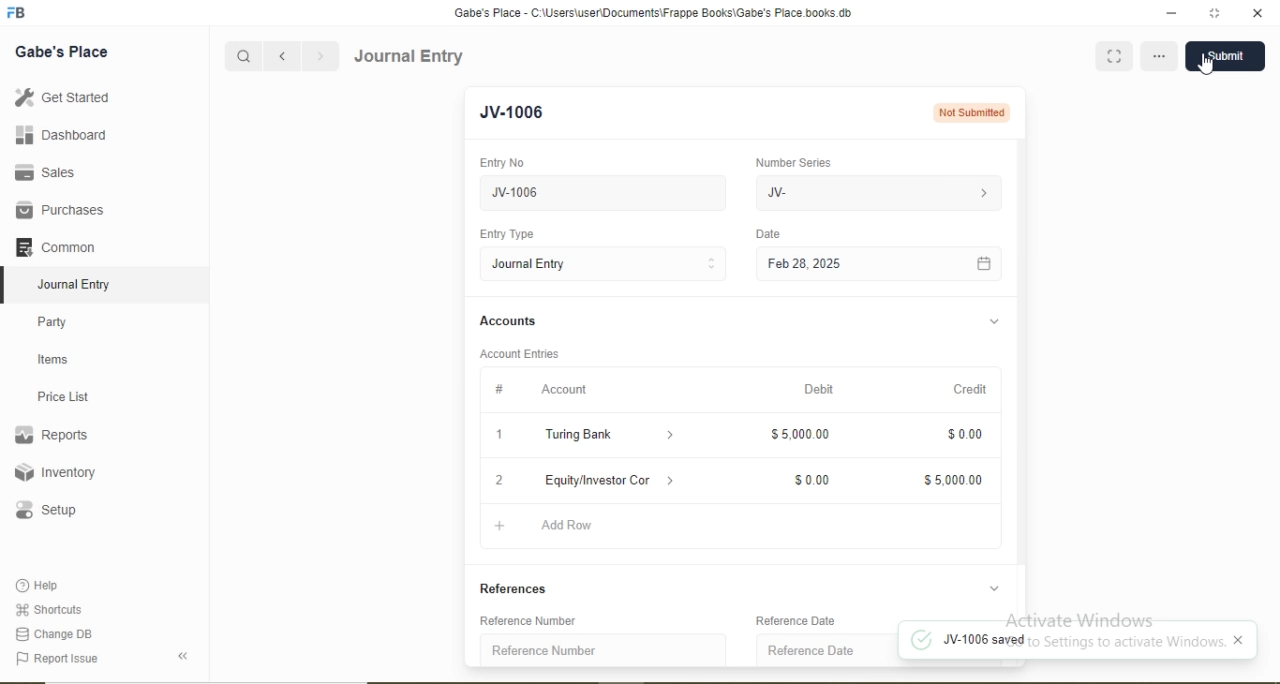 The image size is (1280, 684). What do you see at coordinates (53, 359) in the screenshot?
I see `Items` at bounding box center [53, 359].